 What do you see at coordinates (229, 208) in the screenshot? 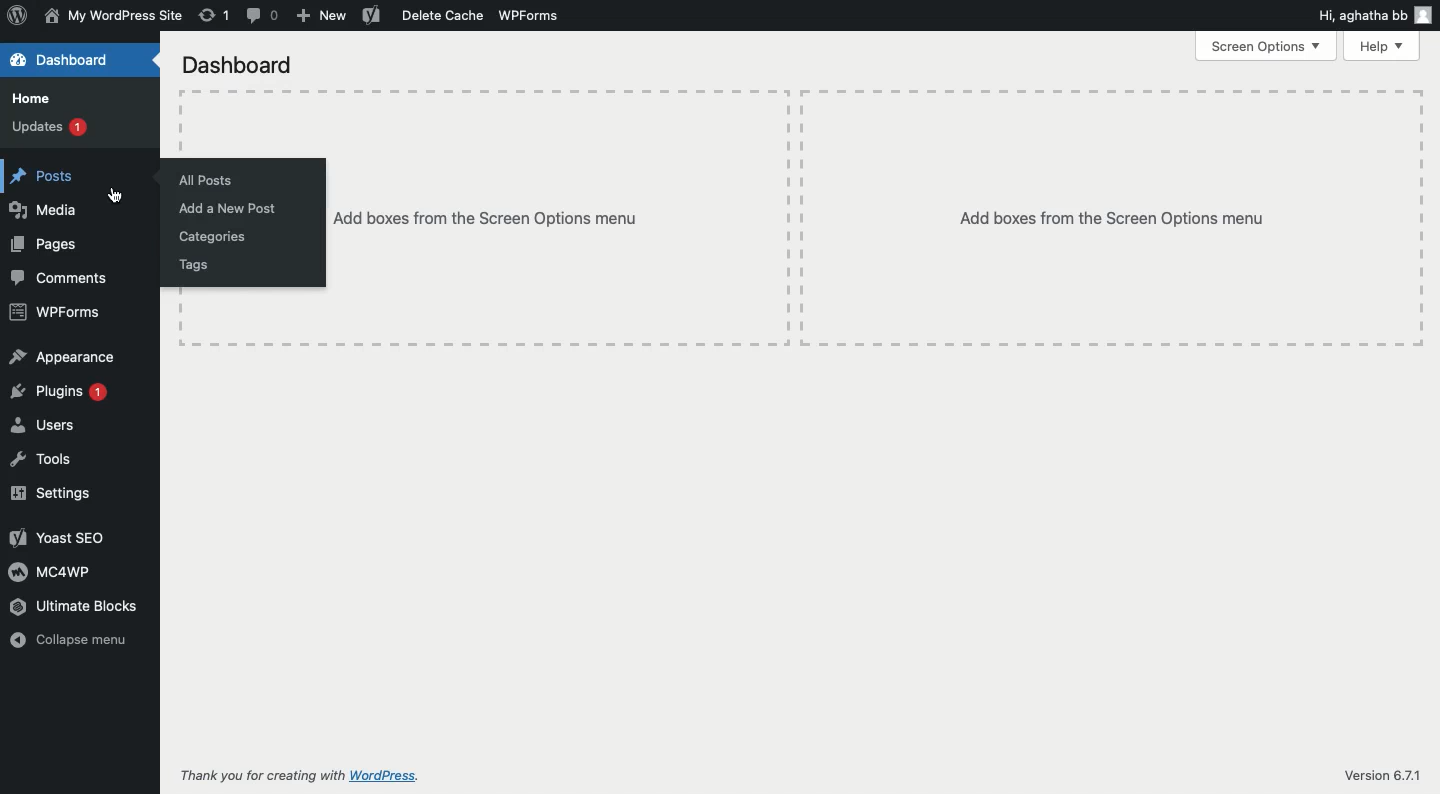
I see `Add a new post` at bounding box center [229, 208].